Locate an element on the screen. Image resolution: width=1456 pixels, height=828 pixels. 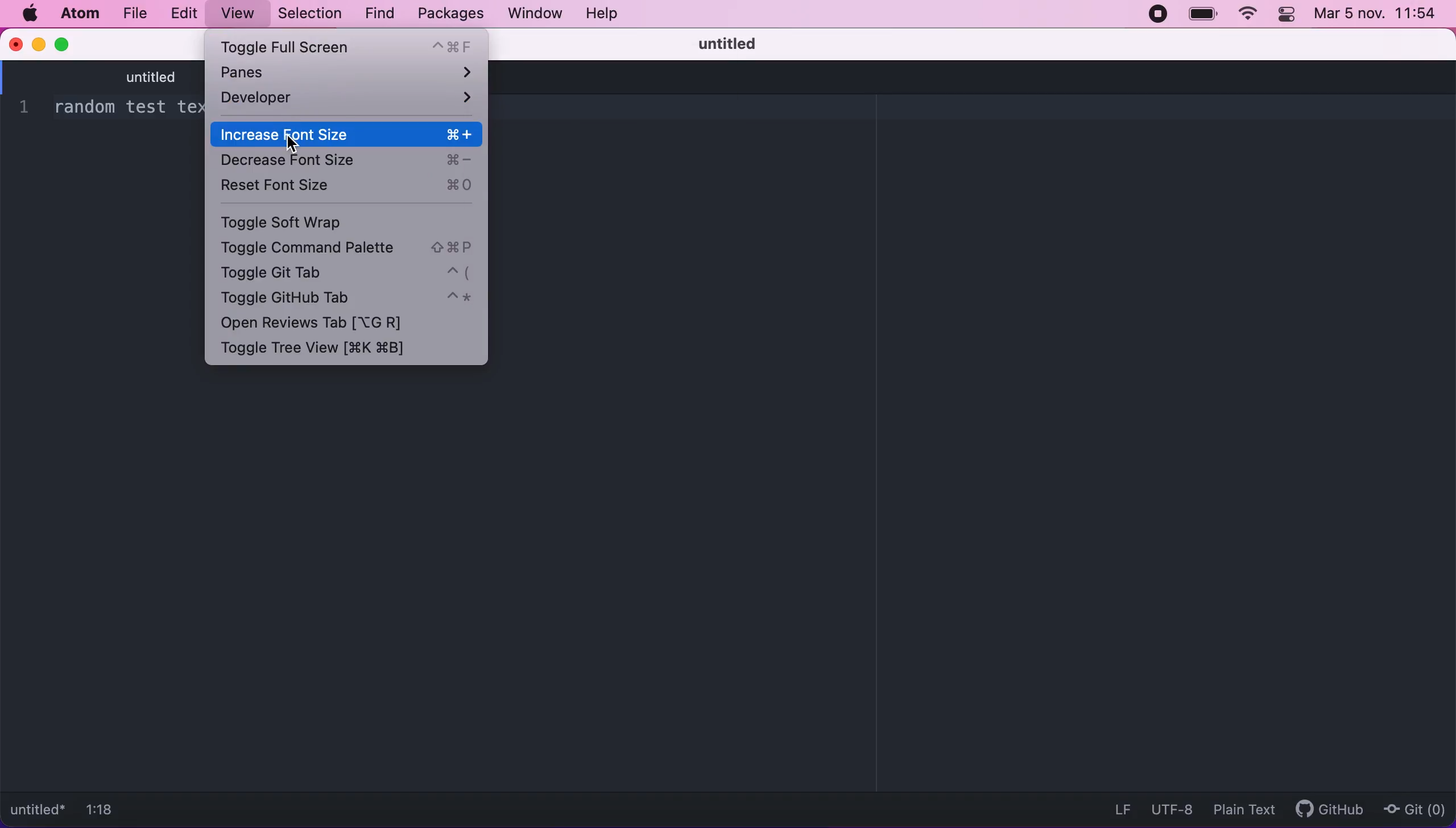
Mar 5 nov. 11:54 is located at coordinates (1377, 14).